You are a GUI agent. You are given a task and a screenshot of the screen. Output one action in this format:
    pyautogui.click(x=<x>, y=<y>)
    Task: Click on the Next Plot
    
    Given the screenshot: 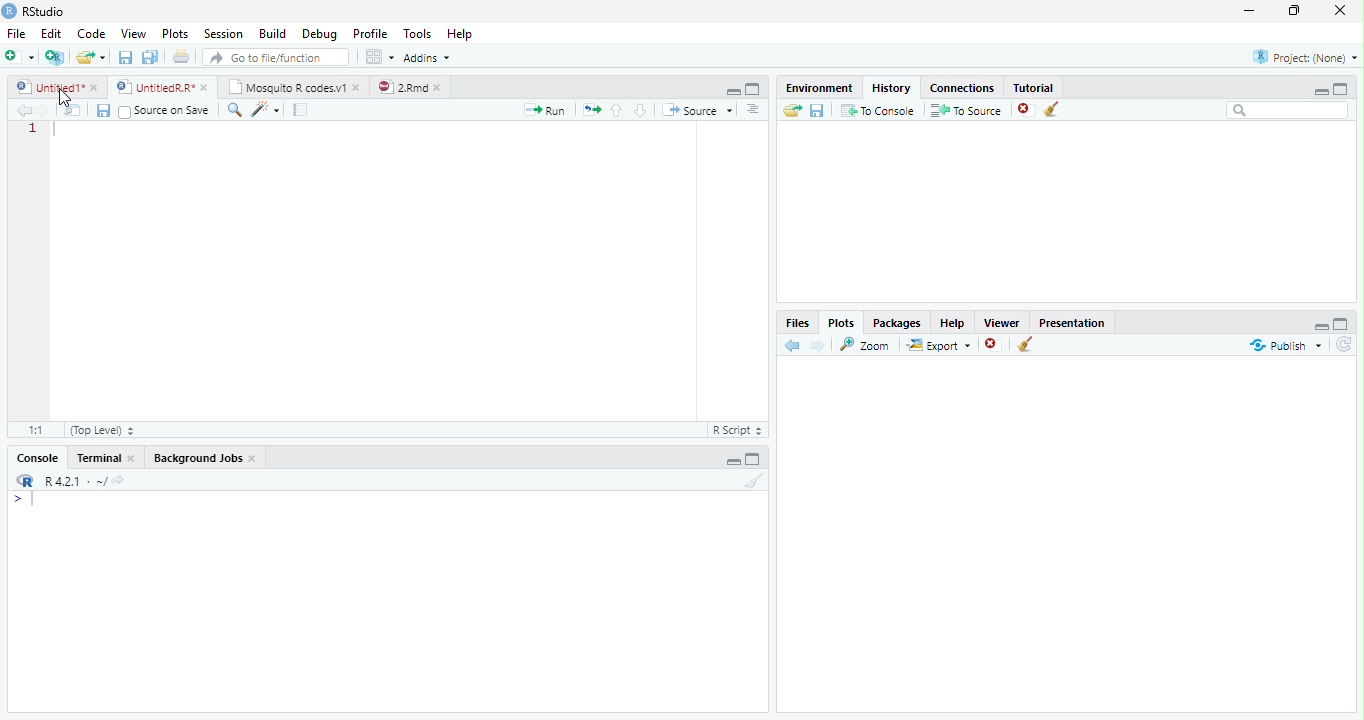 What is the action you would take?
    pyautogui.click(x=818, y=345)
    